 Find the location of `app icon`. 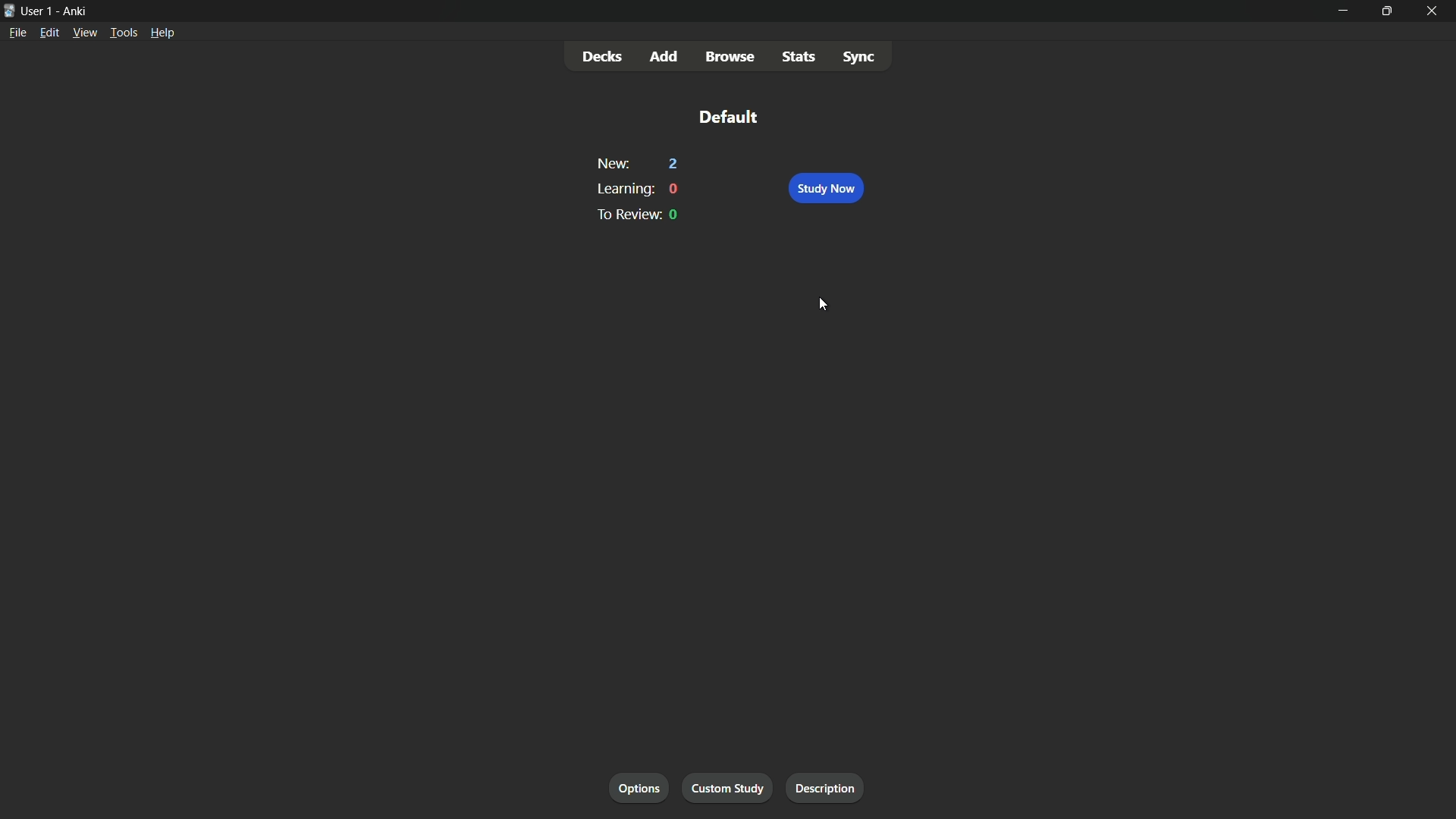

app icon is located at coordinates (9, 11).